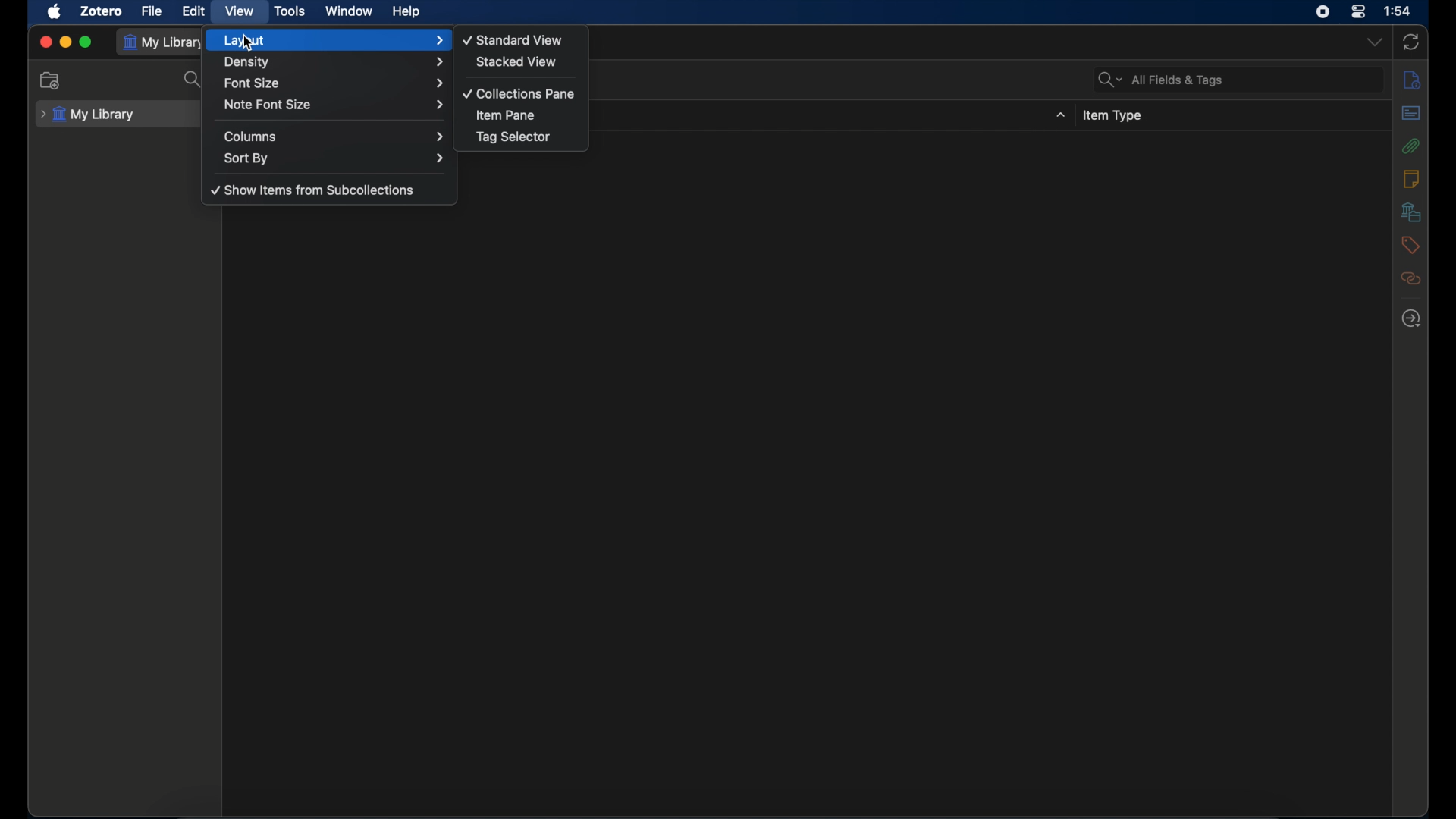  I want to click on stacked view, so click(517, 61).